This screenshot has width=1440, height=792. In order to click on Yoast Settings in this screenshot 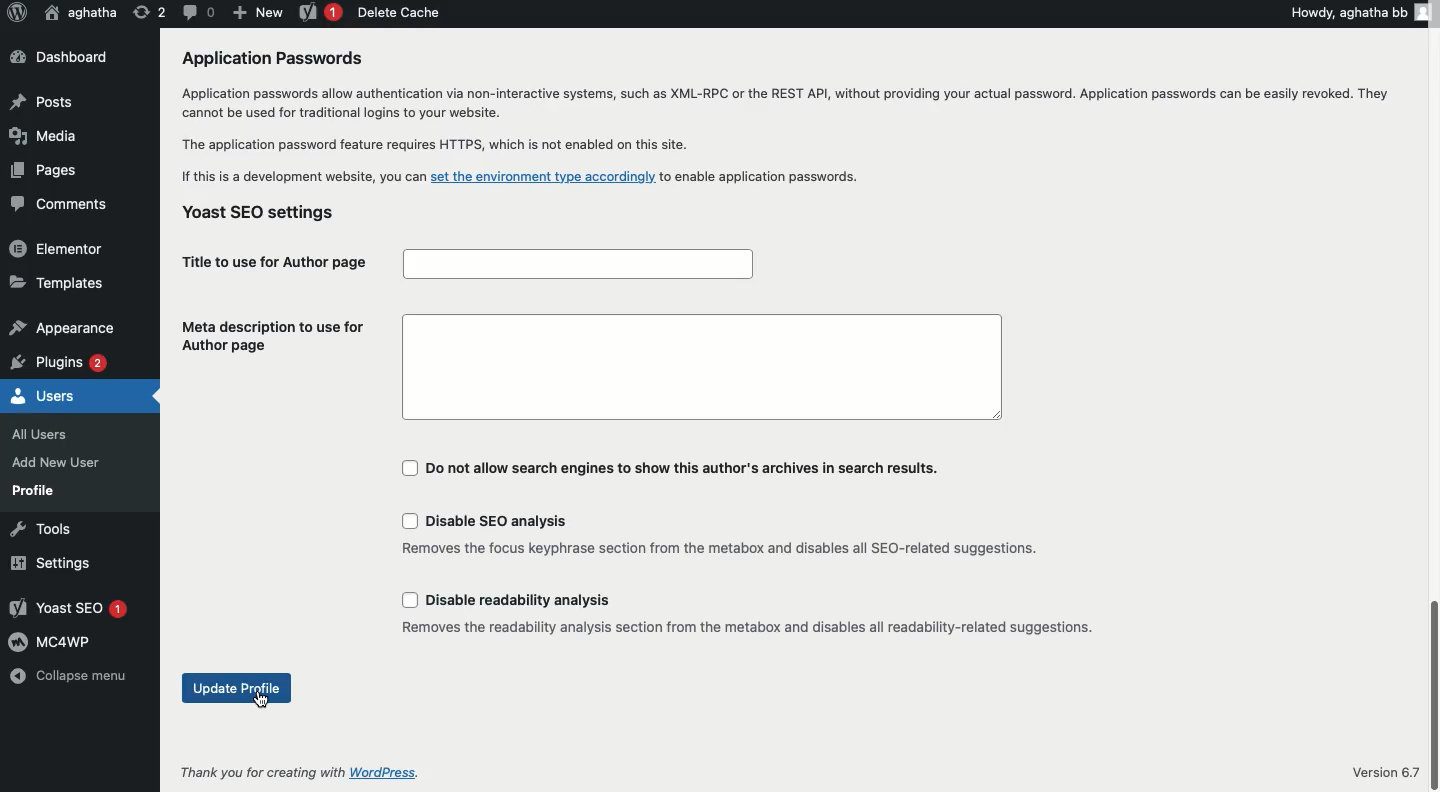, I will do `click(738, 553)`.